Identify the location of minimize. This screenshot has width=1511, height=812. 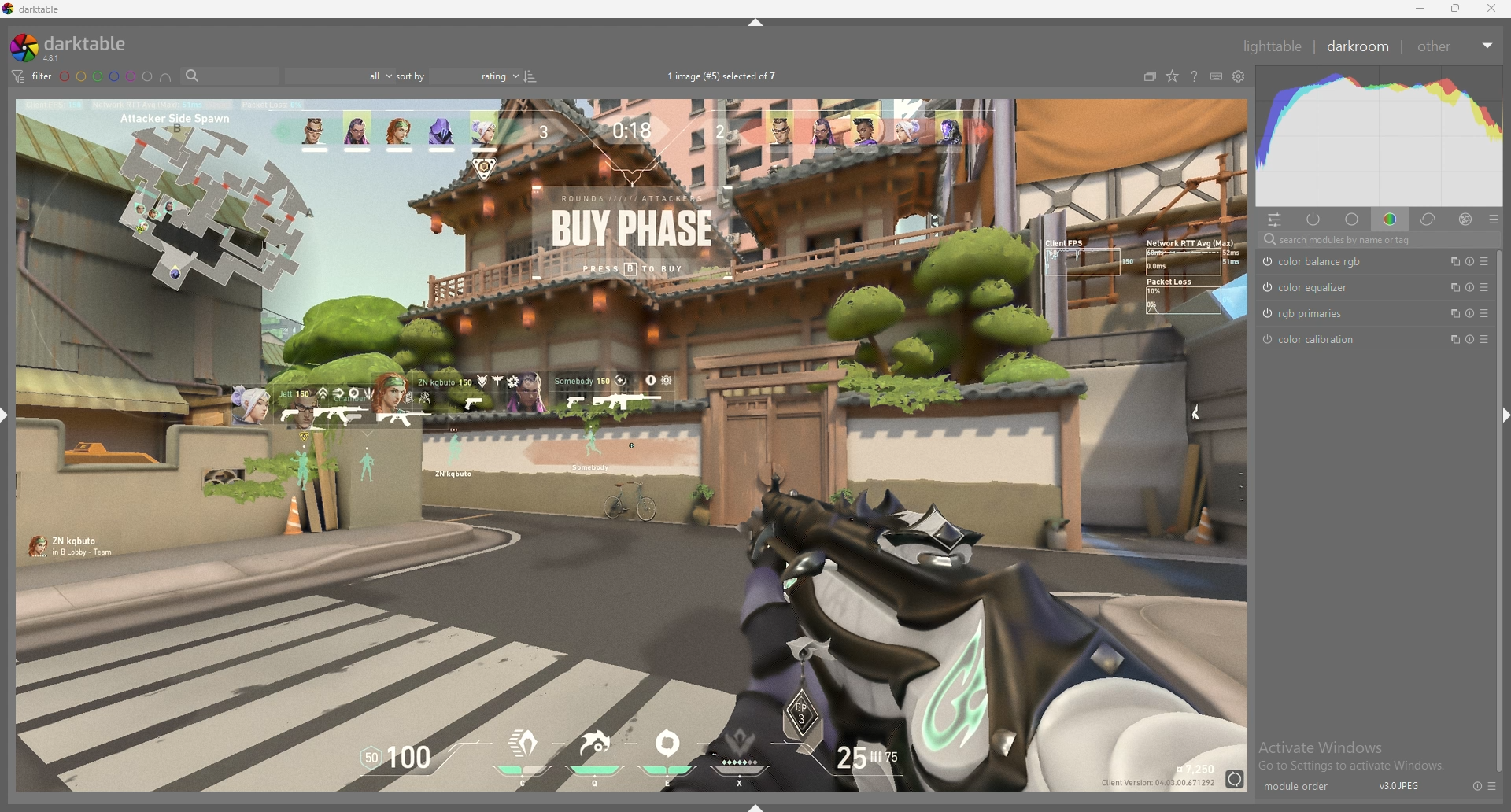
(1420, 9).